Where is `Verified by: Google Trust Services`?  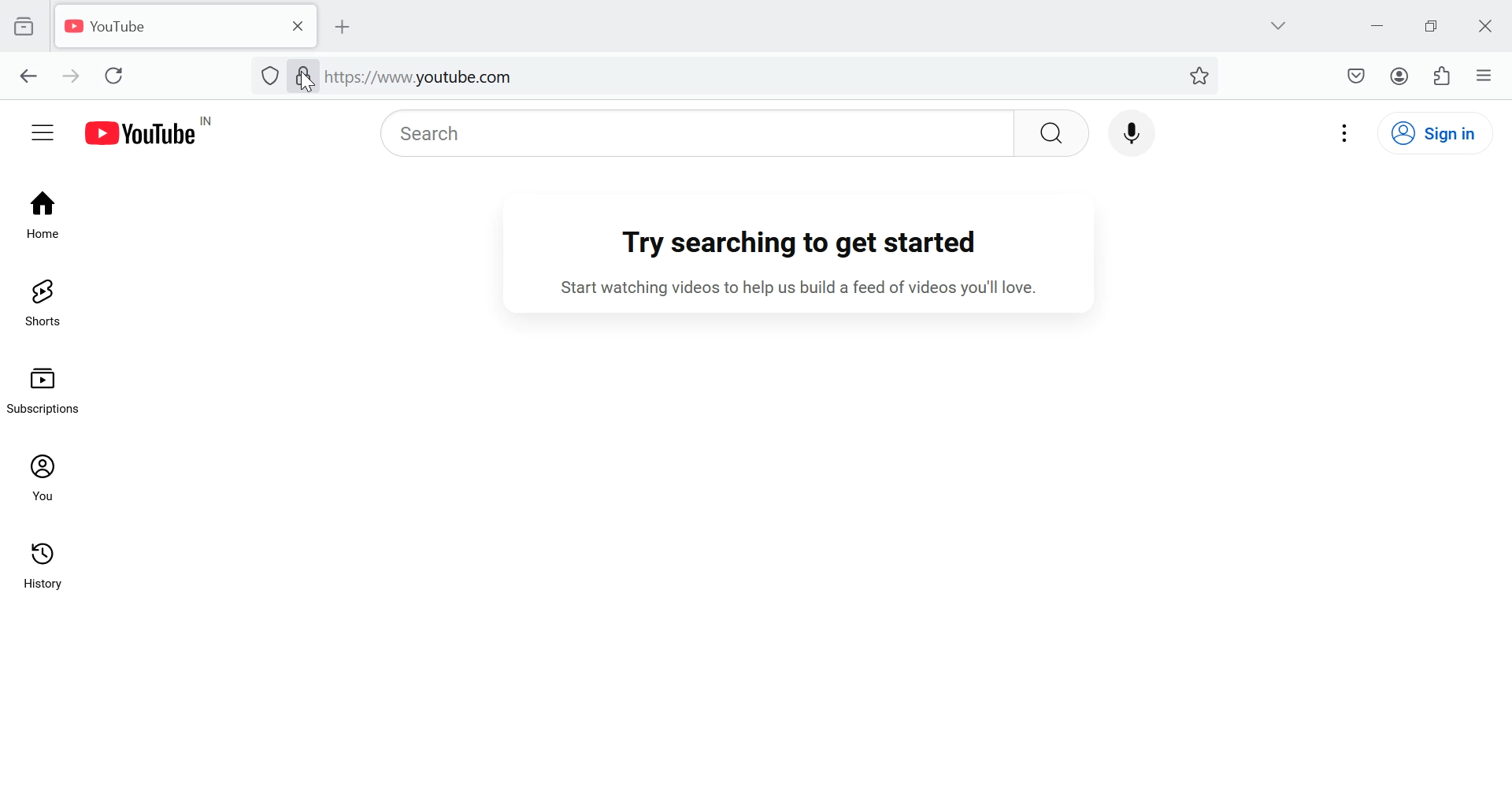 Verified by: Google Trust Services is located at coordinates (302, 78).